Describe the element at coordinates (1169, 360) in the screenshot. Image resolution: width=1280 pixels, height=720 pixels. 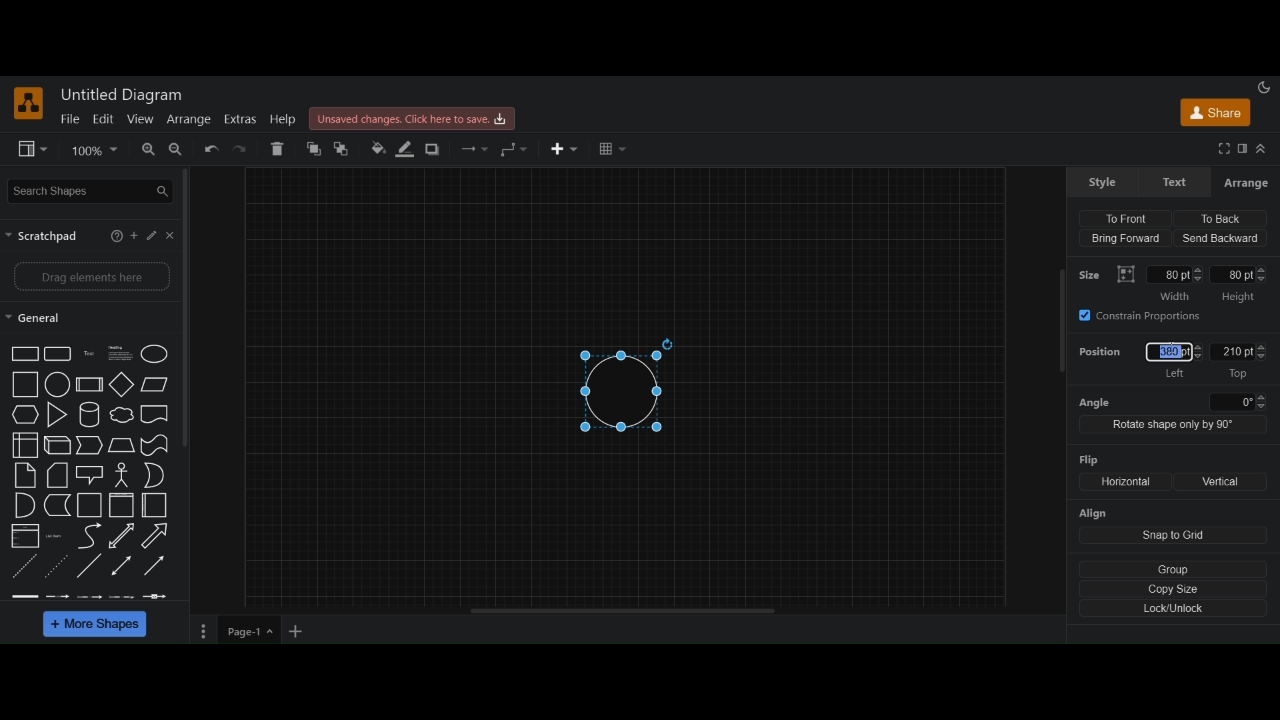
I see `380 as position left` at that location.